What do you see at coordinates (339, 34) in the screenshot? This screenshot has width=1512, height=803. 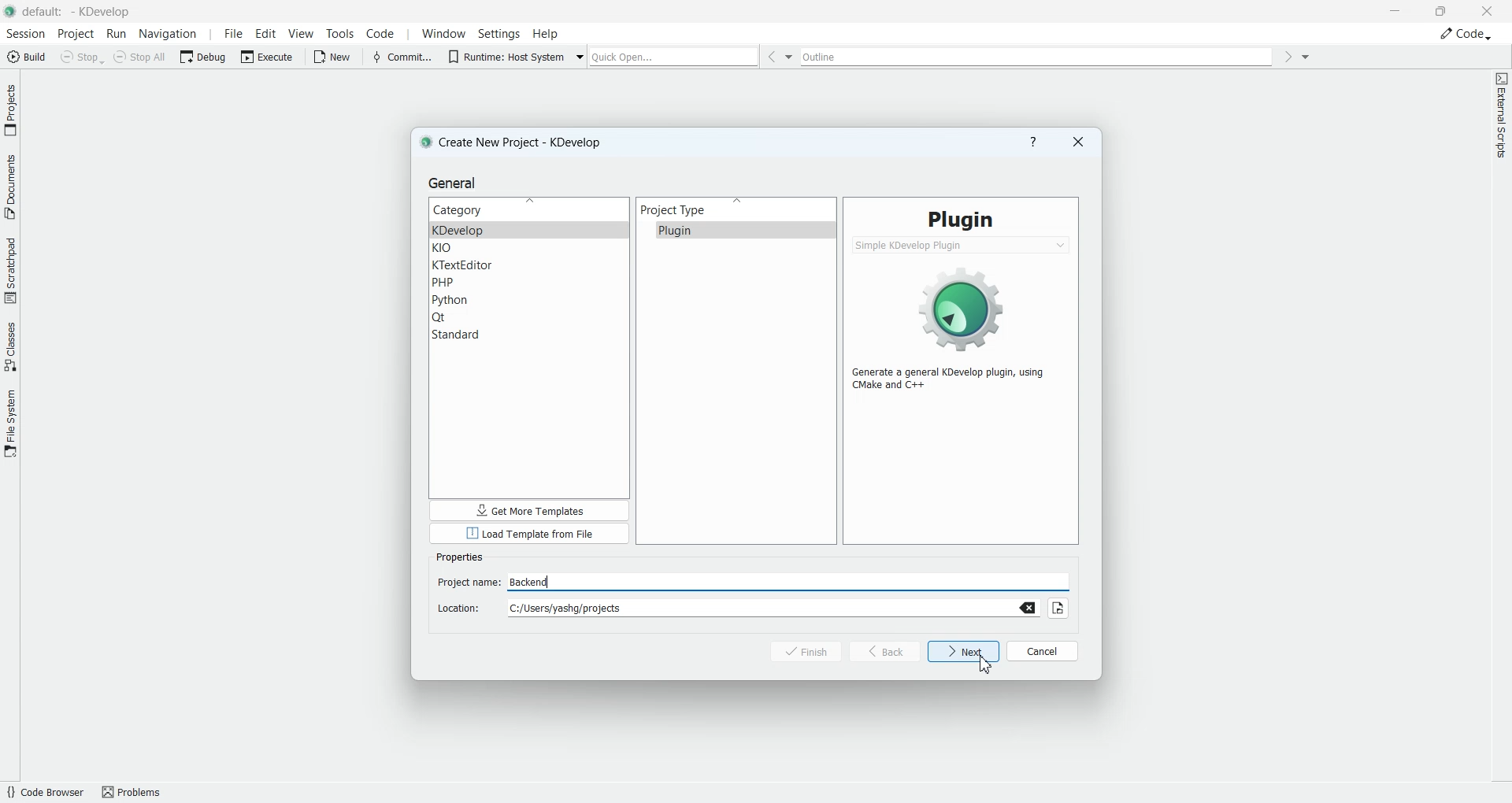 I see `Tools` at bounding box center [339, 34].